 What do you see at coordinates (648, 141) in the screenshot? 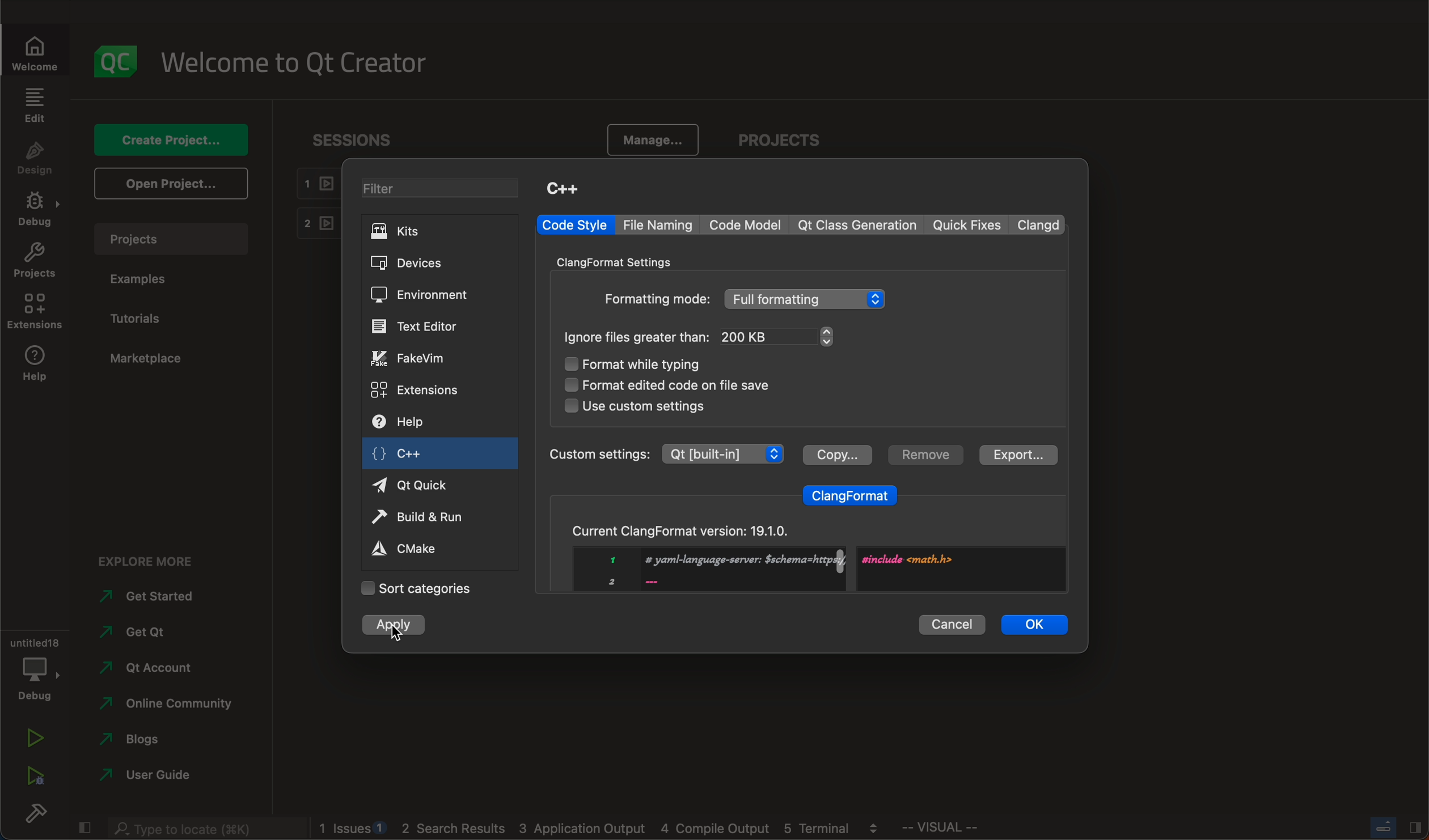
I see `manage` at bounding box center [648, 141].